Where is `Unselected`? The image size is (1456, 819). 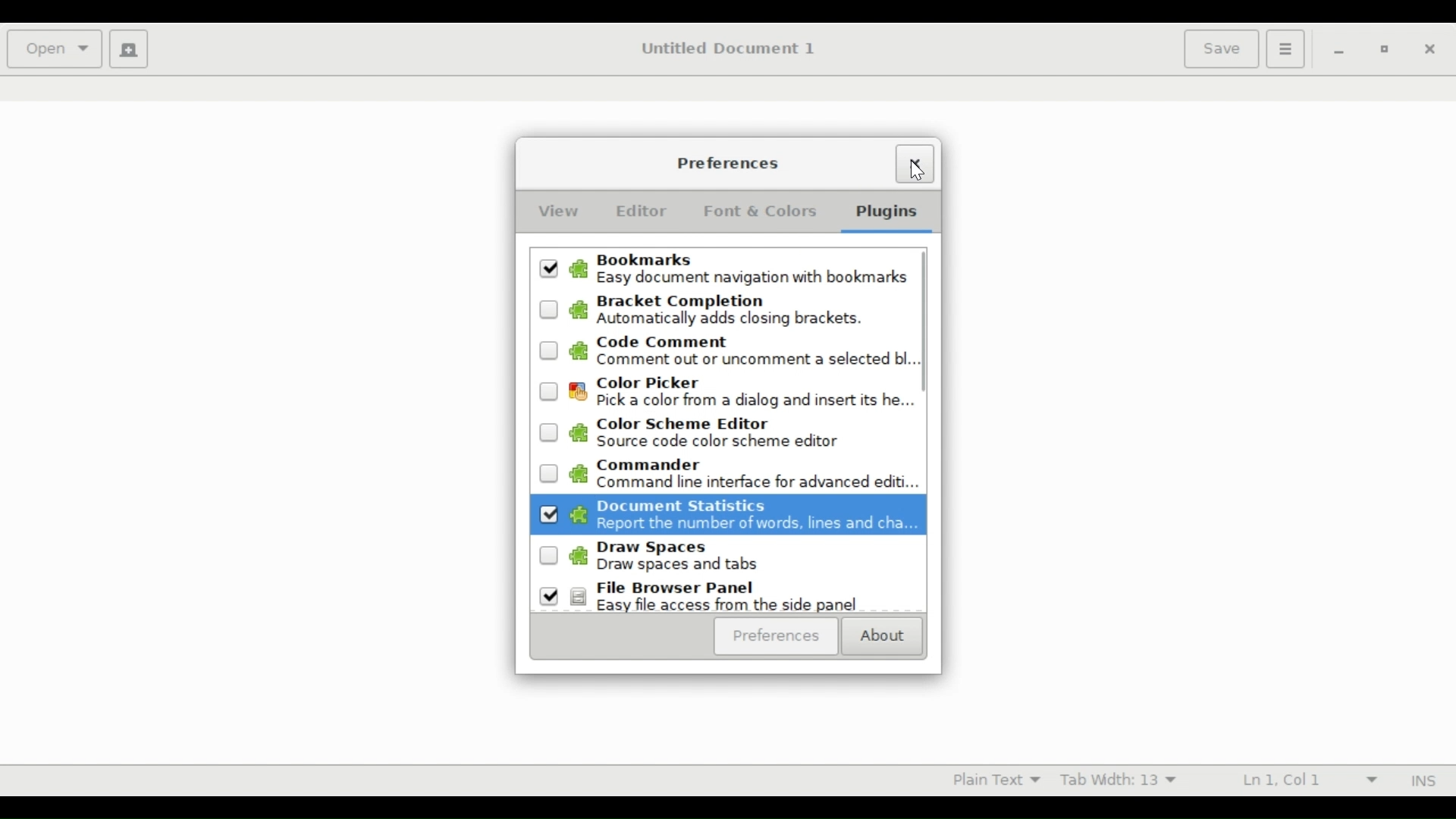
Unselected is located at coordinates (549, 309).